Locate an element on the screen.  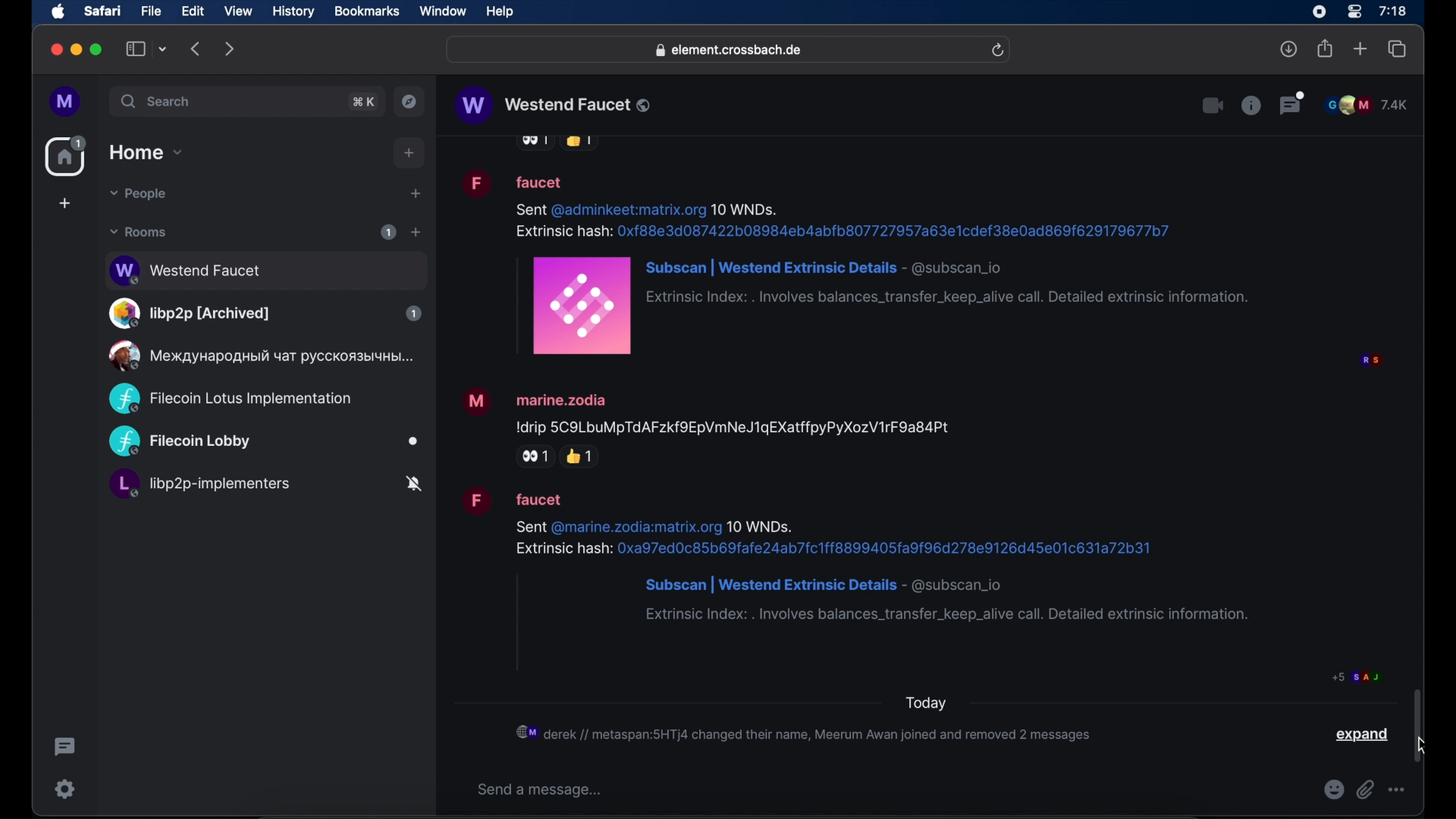
search shortcut is located at coordinates (365, 102).